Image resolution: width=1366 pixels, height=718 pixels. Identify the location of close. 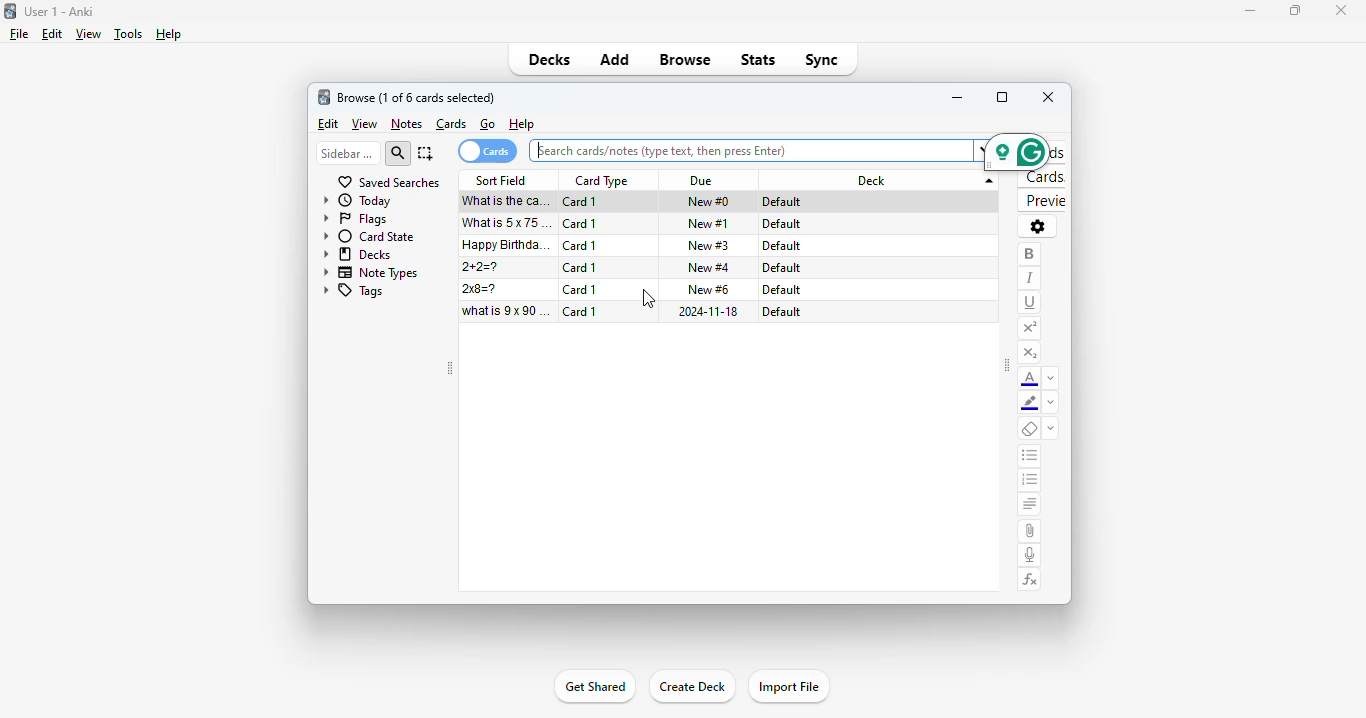
(1048, 97).